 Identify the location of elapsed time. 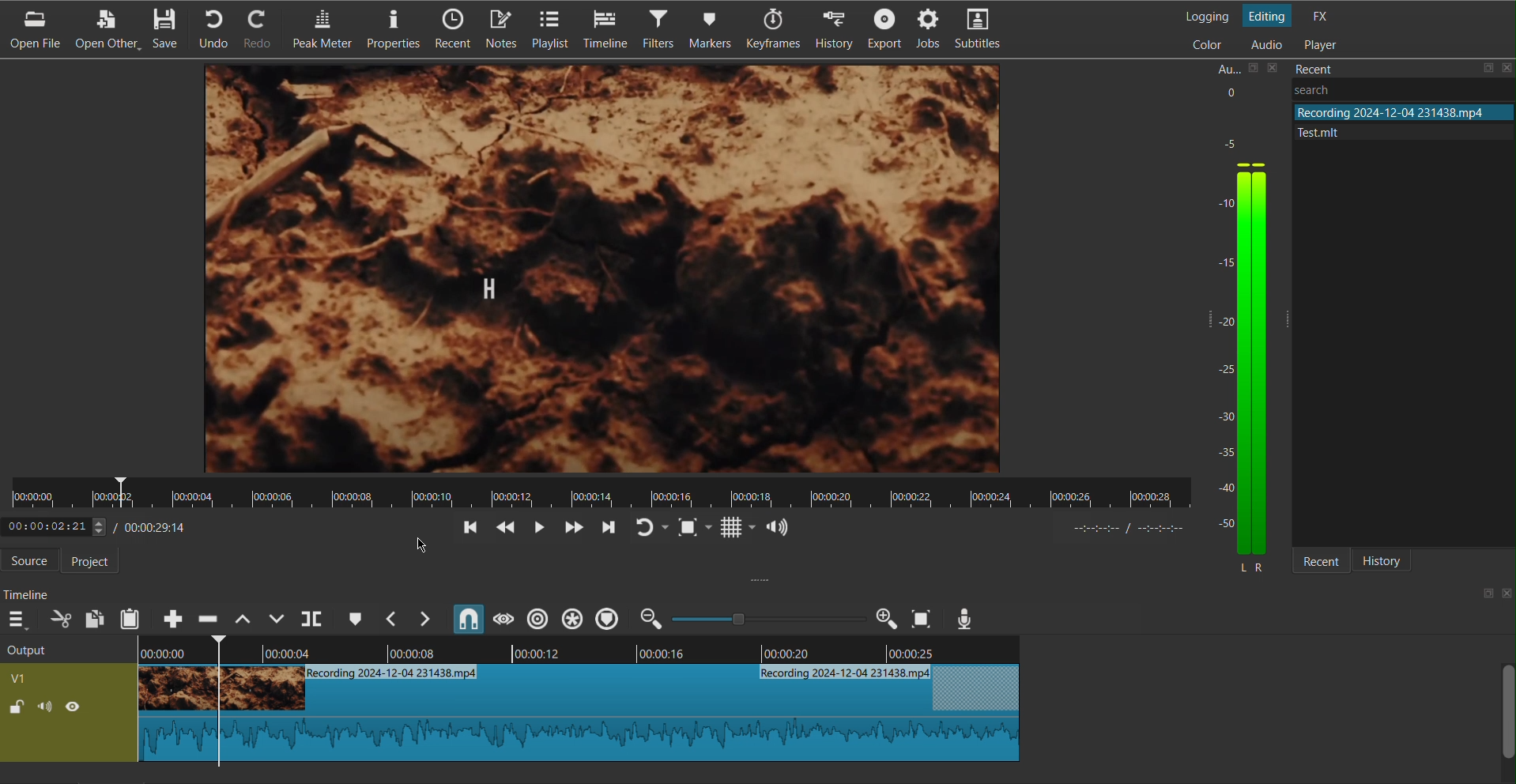
(53, 527).